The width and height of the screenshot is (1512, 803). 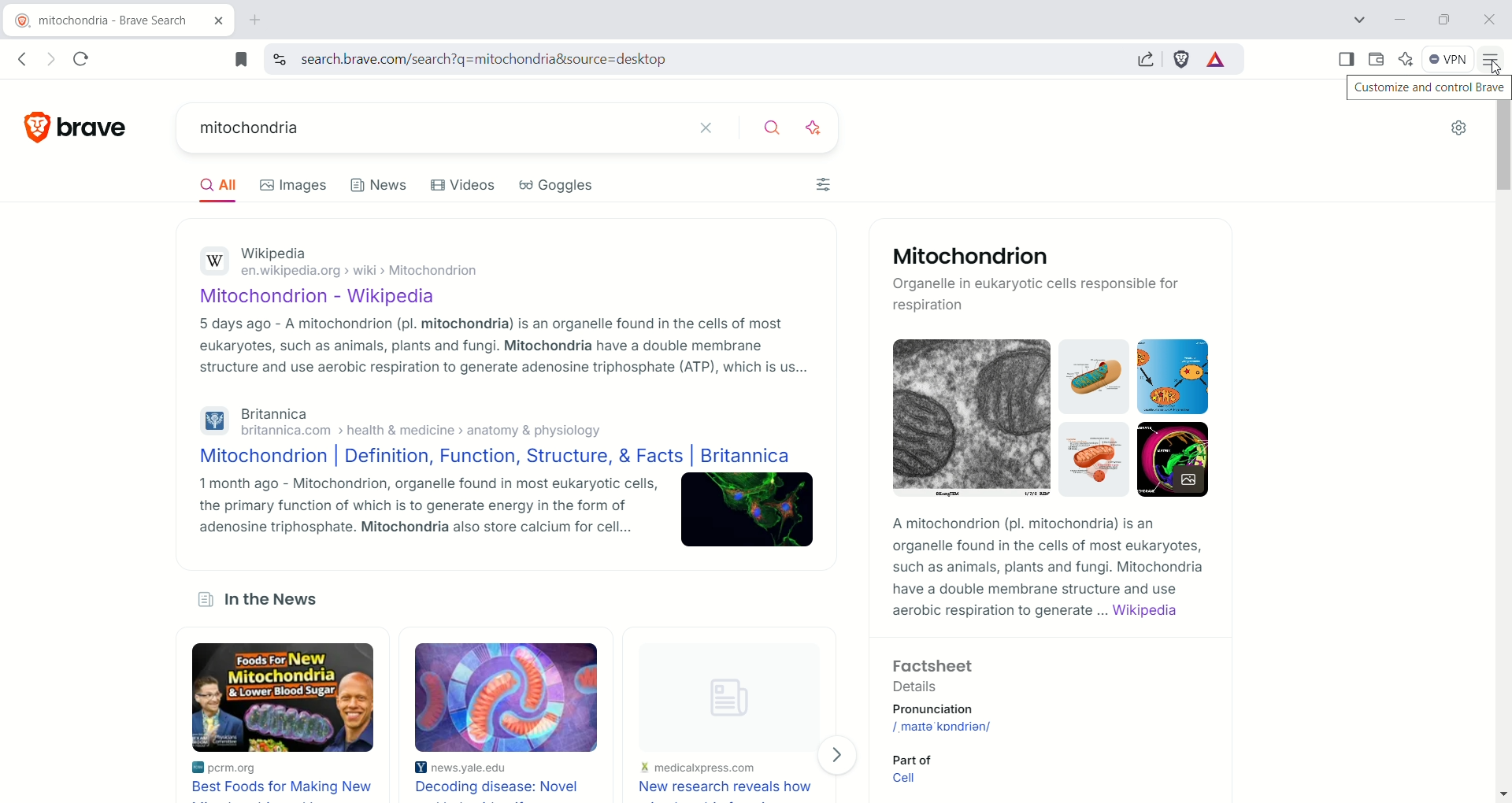 I want to click on VPN, so click(x=1447, y=58).